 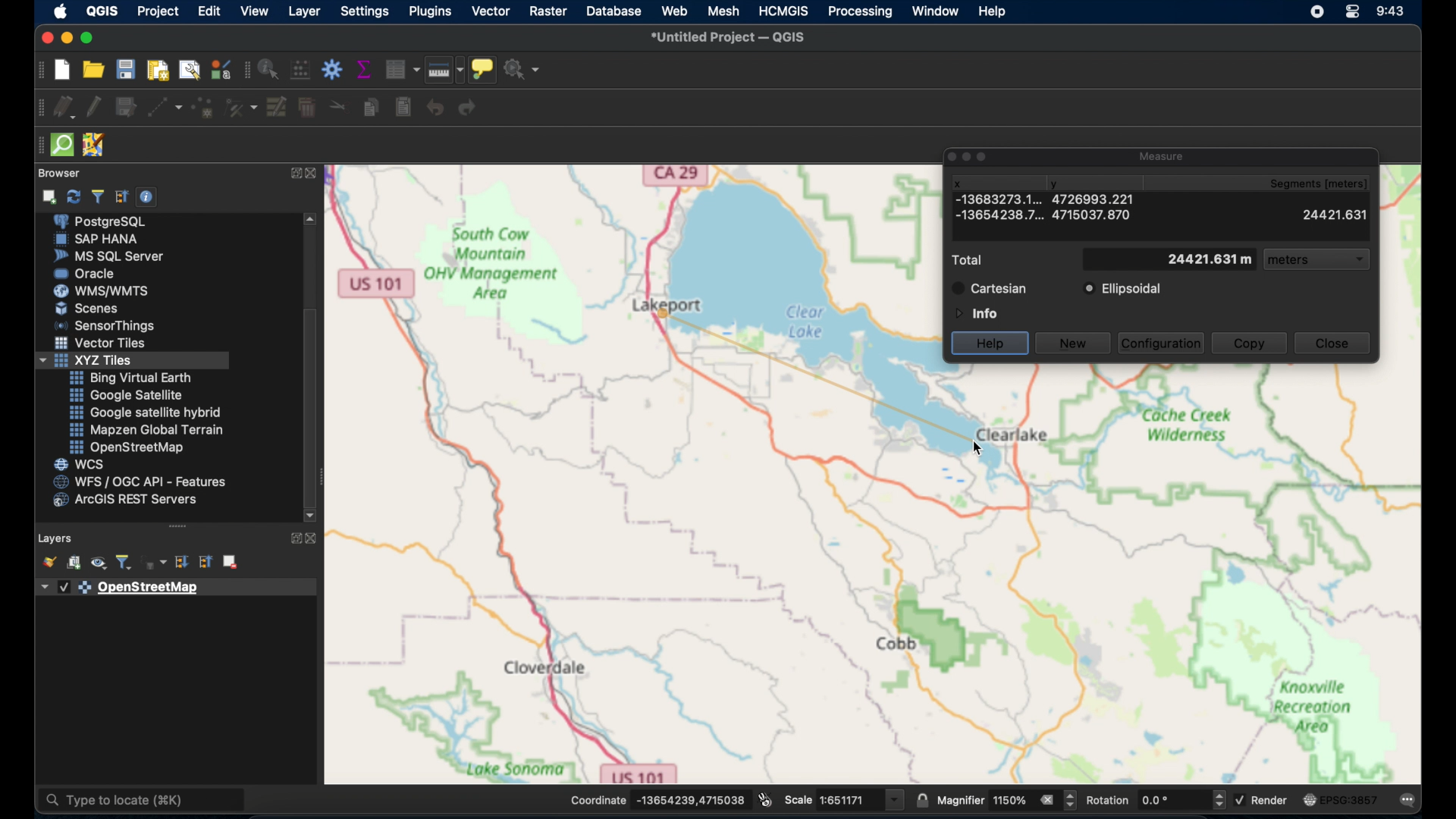 What do you see at coordinates (268, 69) in the screenshot?
I see `identify feature` at bounding box center [268, 69].